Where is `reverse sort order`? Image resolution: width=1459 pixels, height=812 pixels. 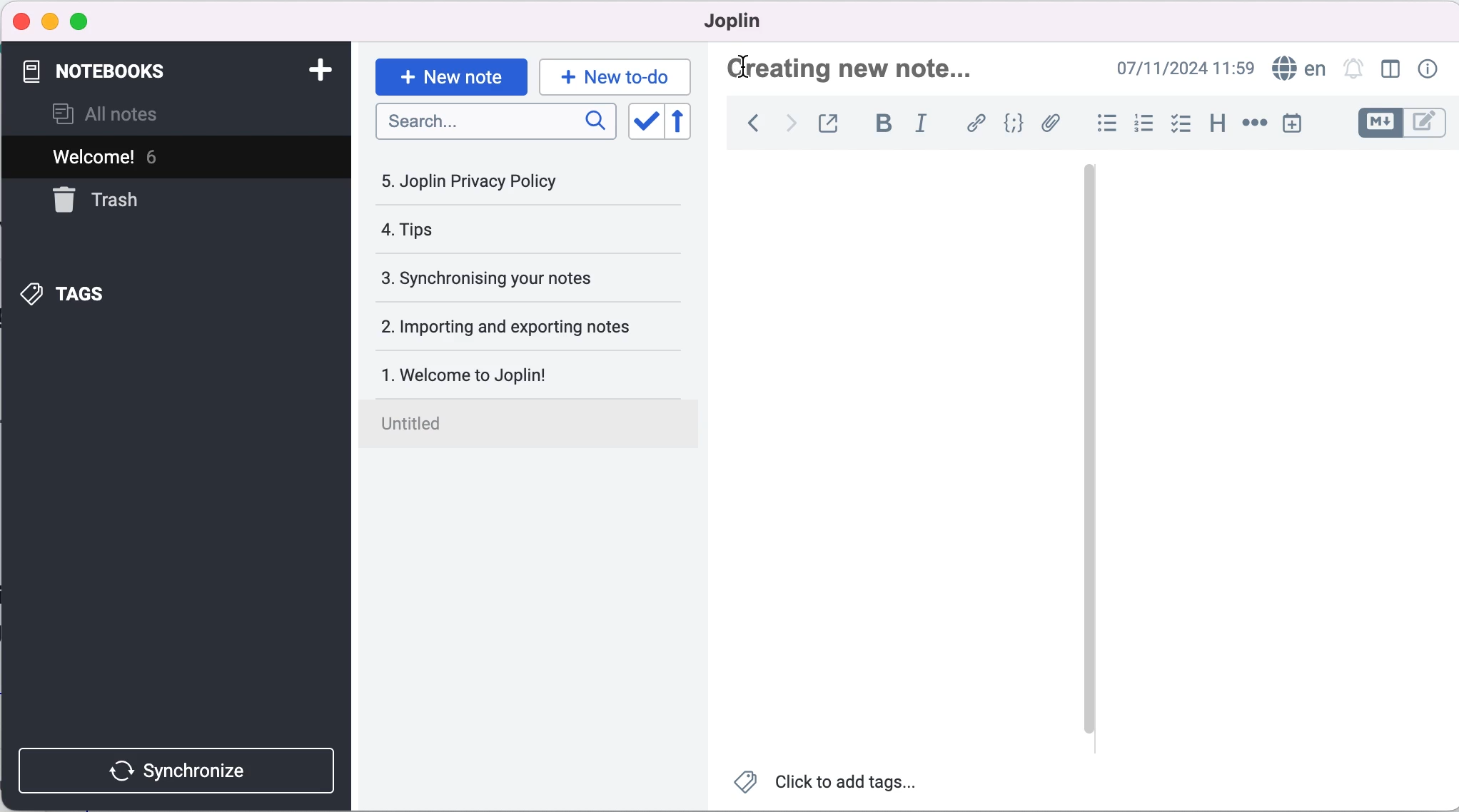
reverse sort order is located at coordinates (682, 122).